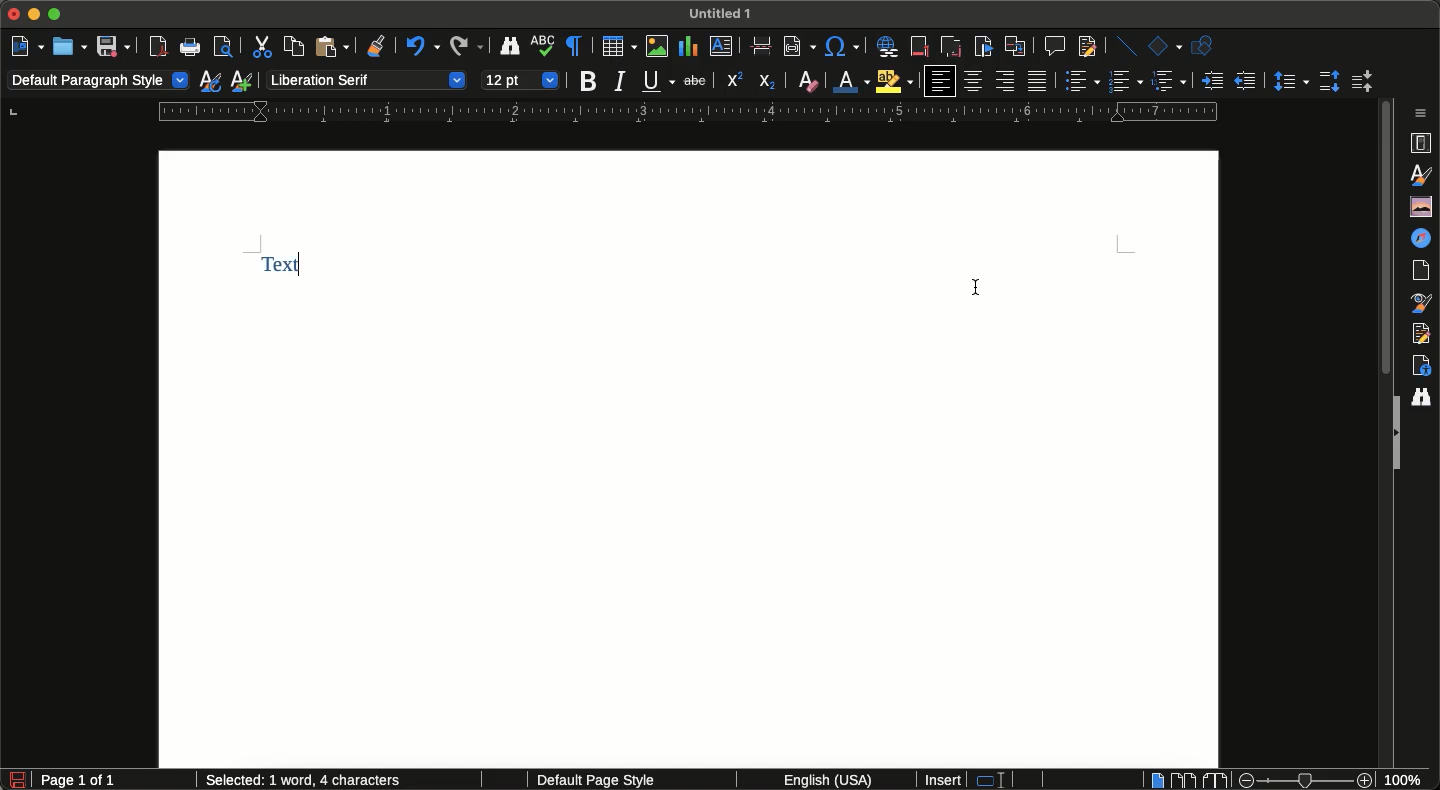 The width and height of the screenshot is (1440, 790). What do you see at coordinates (1425, 238) in the screenshot?
I see `Navigator` at bounding box center [1425, 238].